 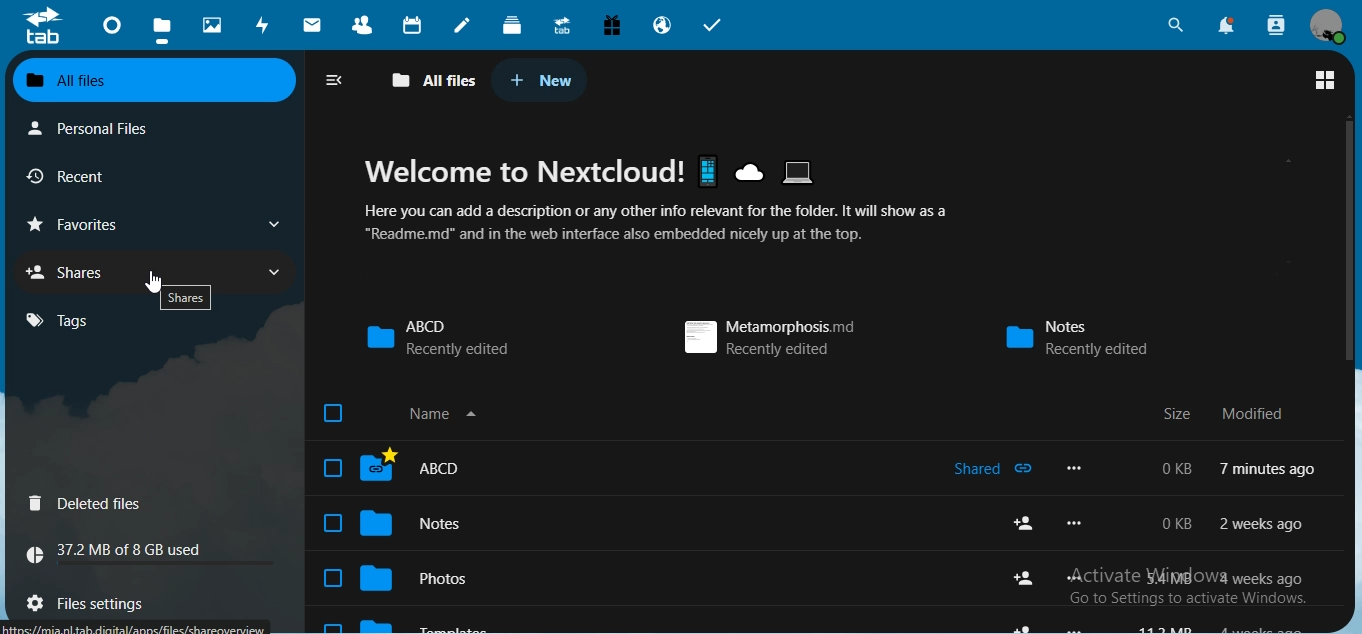 I want to click on text folder, so click(x=468, y=624).